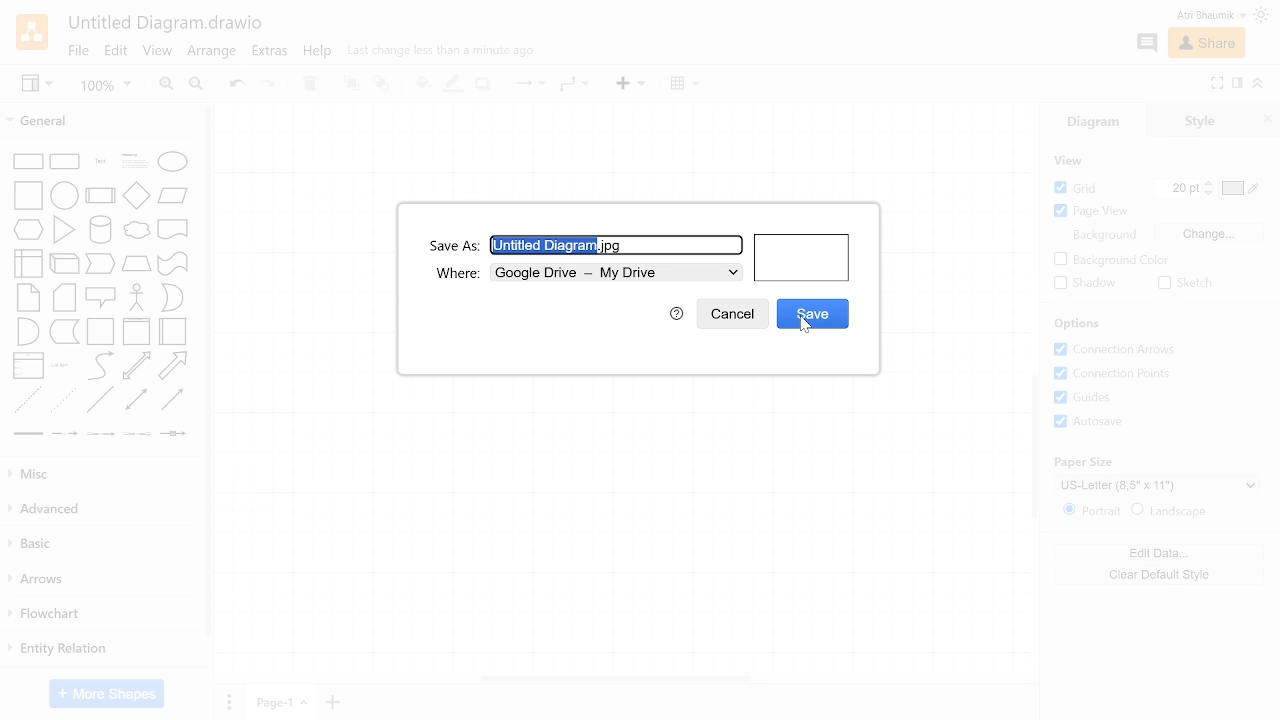 This screenshot has height=720, width=1280. I want to click on Theme, so click(1262, 14).